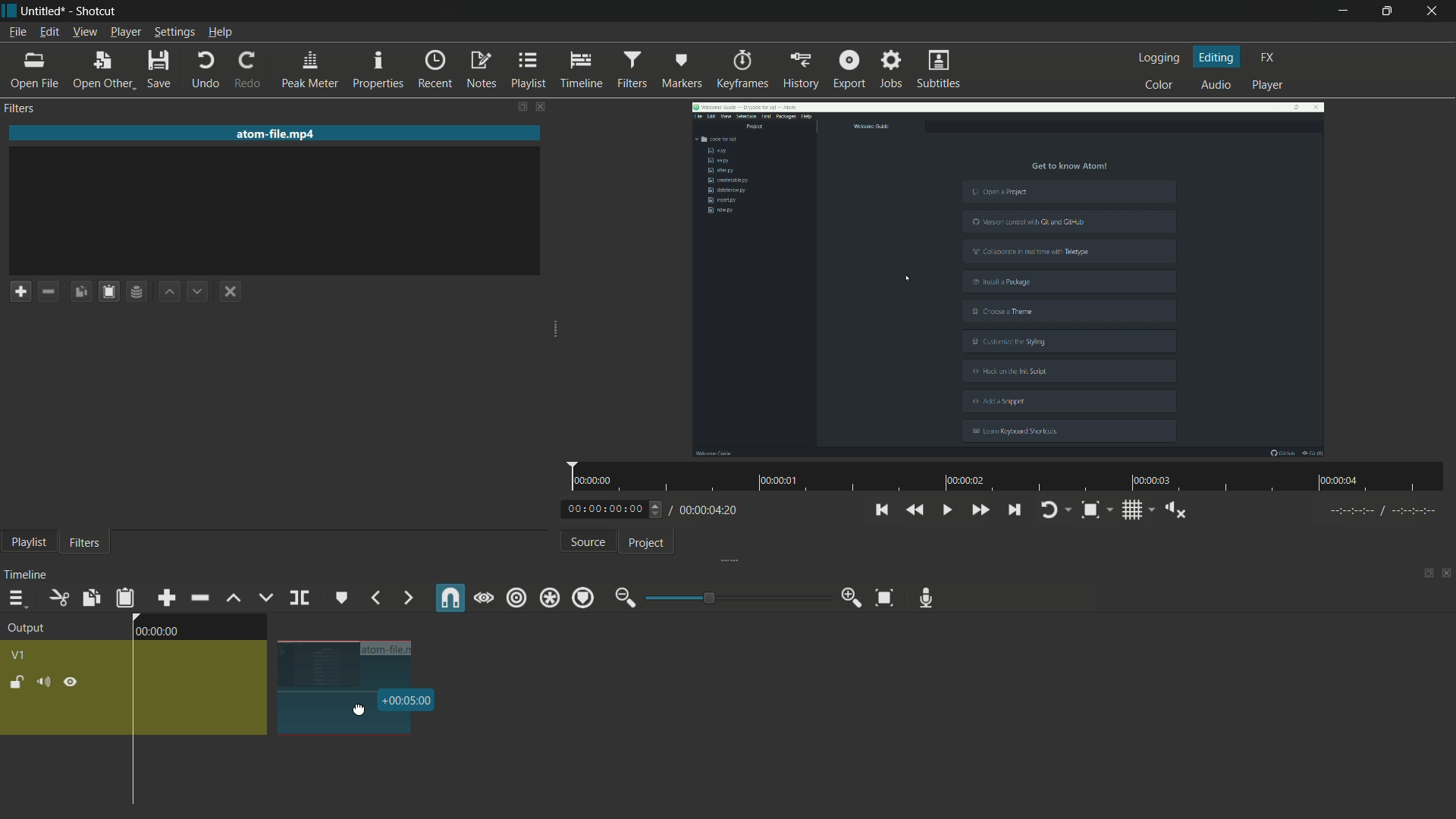  I want to click on paste, so click(125, 598).